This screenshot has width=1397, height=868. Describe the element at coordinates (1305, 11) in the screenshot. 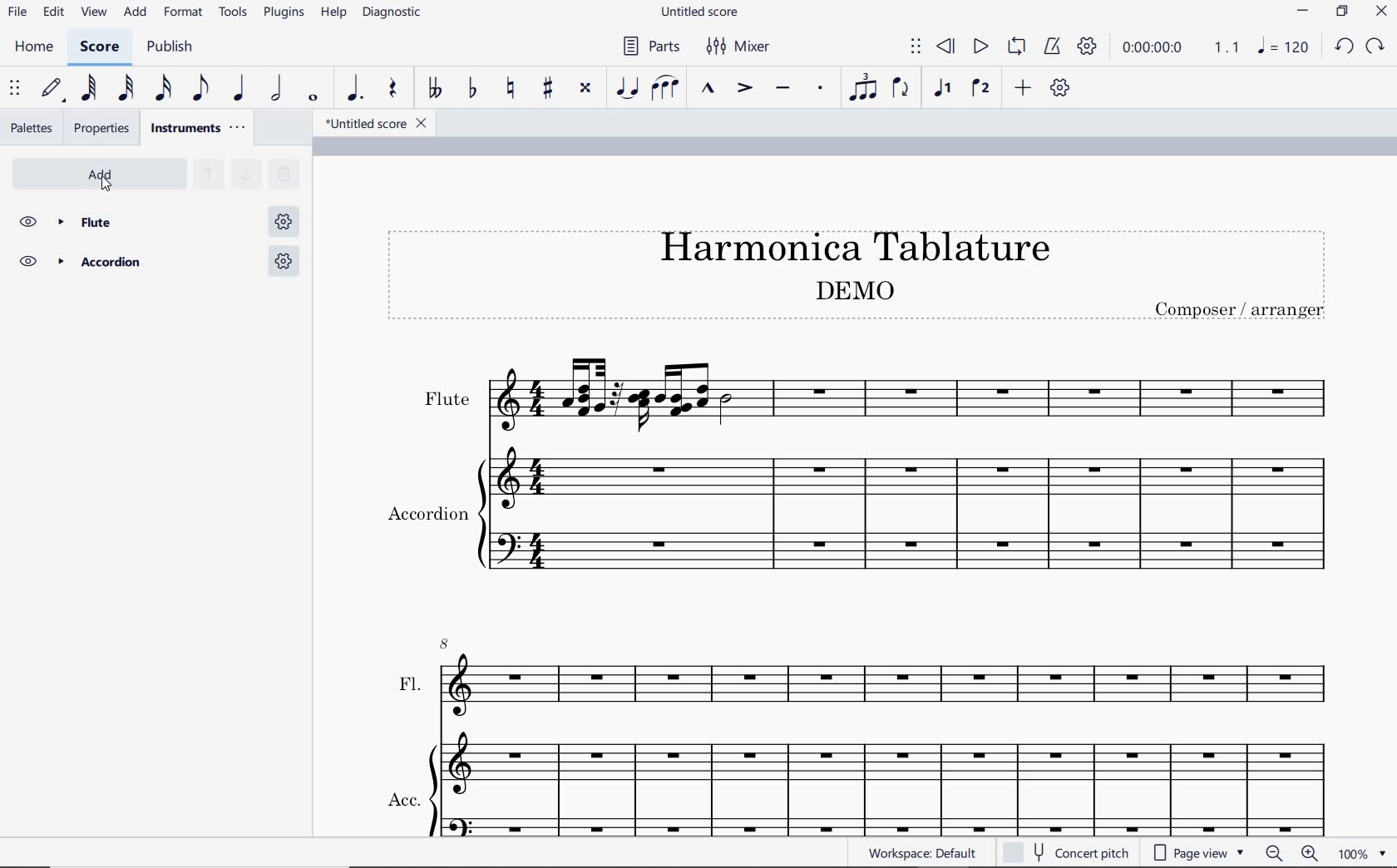

I see `MINIMIZE` at that location.